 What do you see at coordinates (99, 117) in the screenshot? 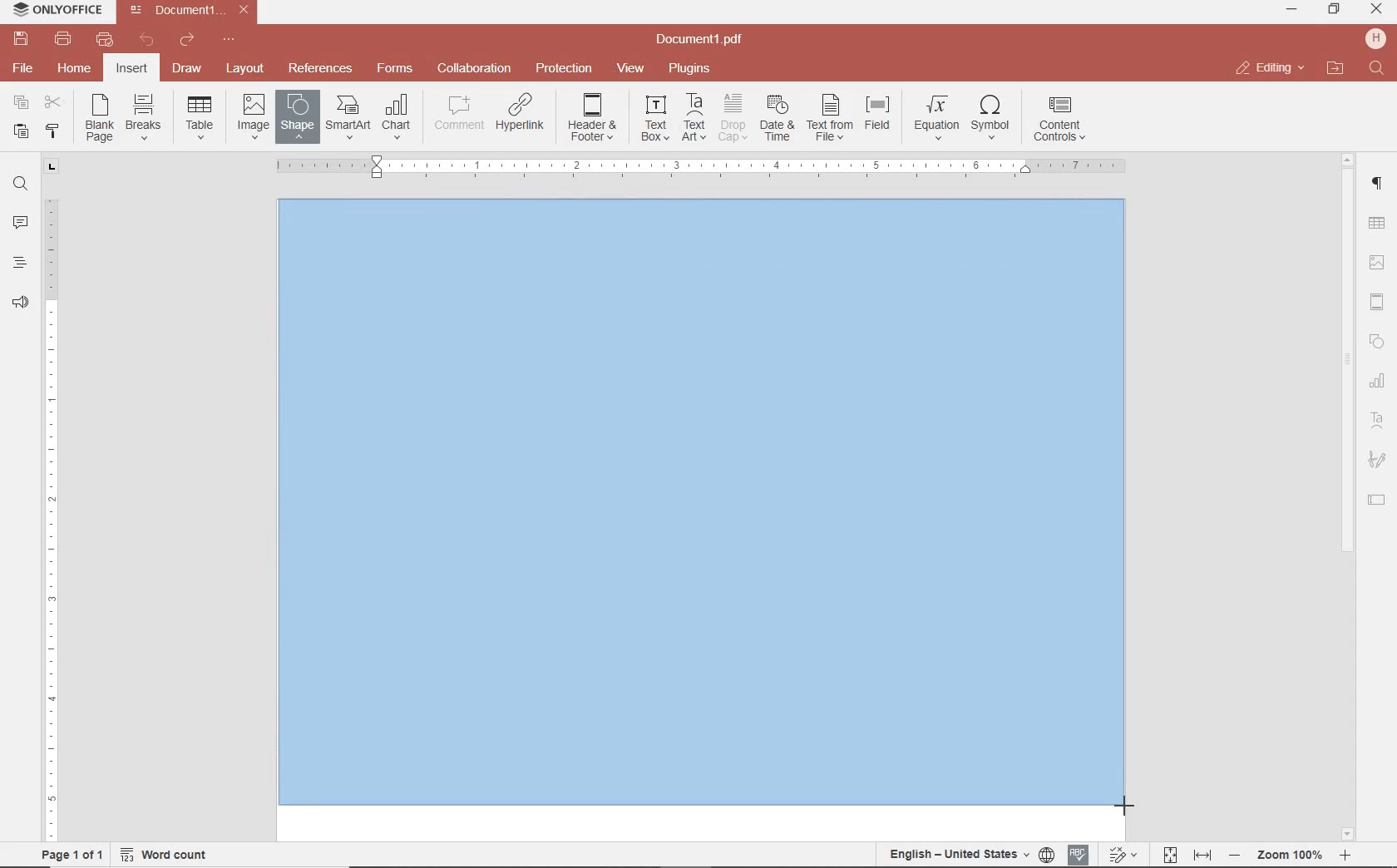
I see `INSERT BLANK PAGE` at bounding box center [99, 117].